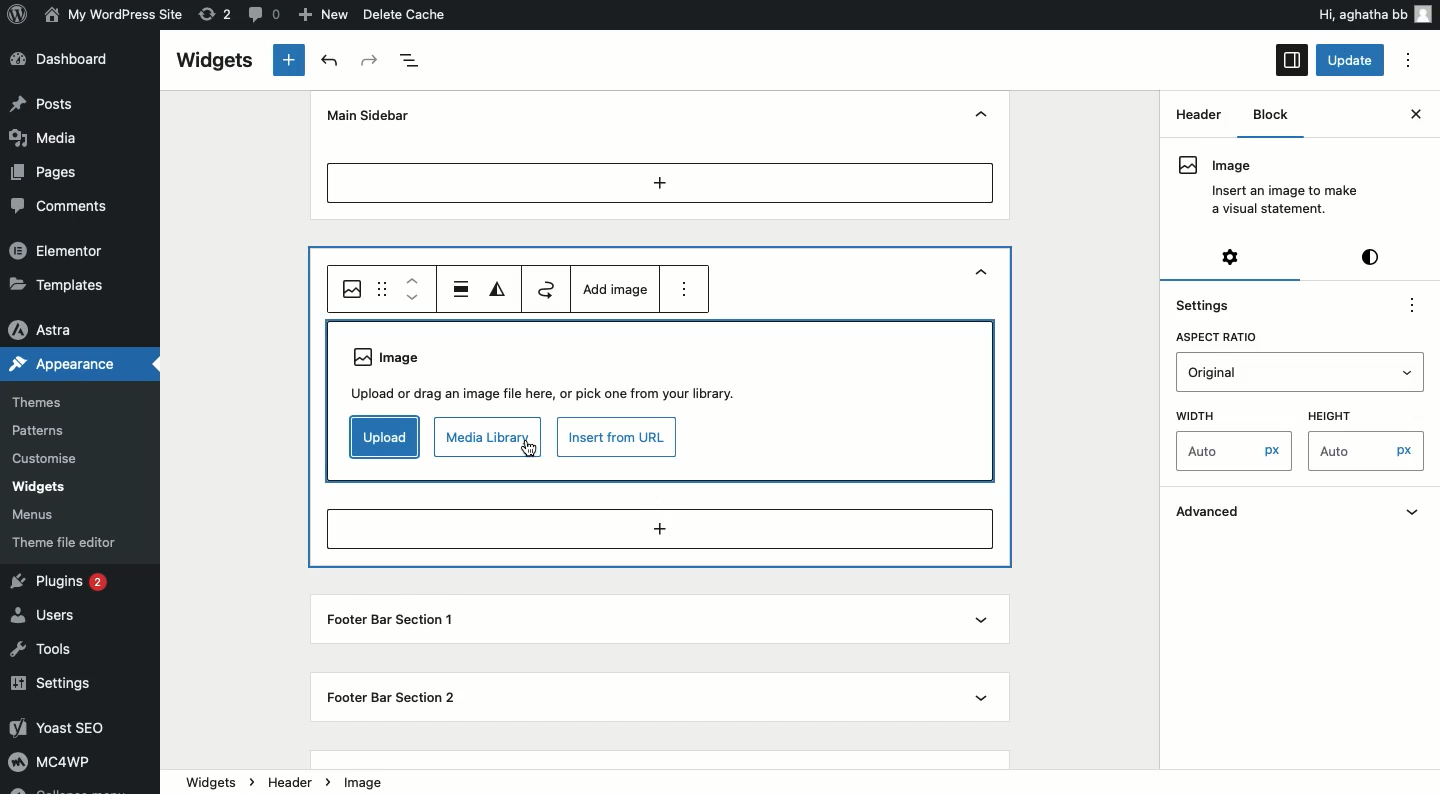  What do you see at coordinates (1352, 60) in the screenshot?
I see `Update` at bounding box center [1352, 60].